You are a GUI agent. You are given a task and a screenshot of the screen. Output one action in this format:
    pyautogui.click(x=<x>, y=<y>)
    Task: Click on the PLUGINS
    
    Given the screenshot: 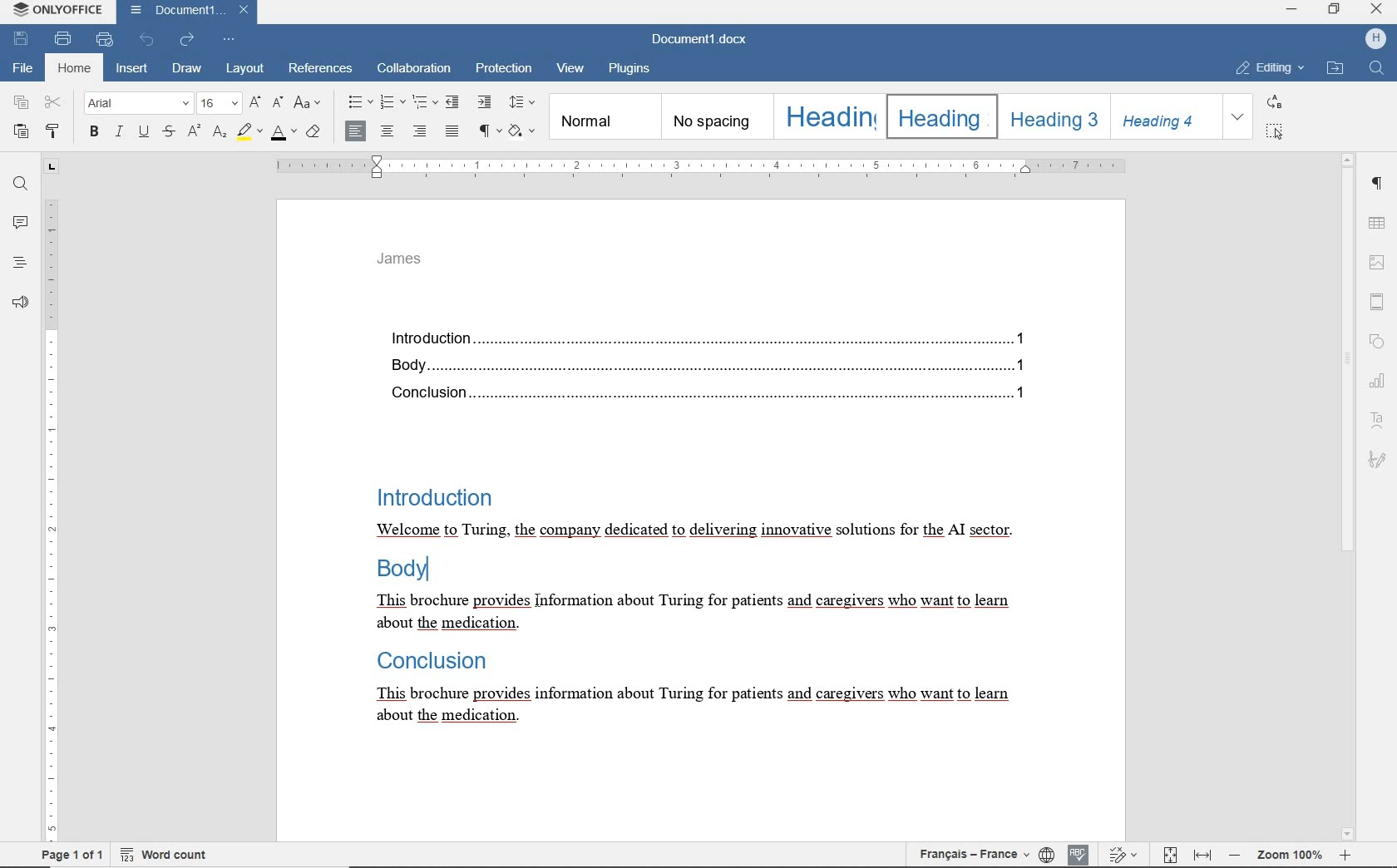 What is the action you would take?
    pyautogui.click(x=634, y=70)
    